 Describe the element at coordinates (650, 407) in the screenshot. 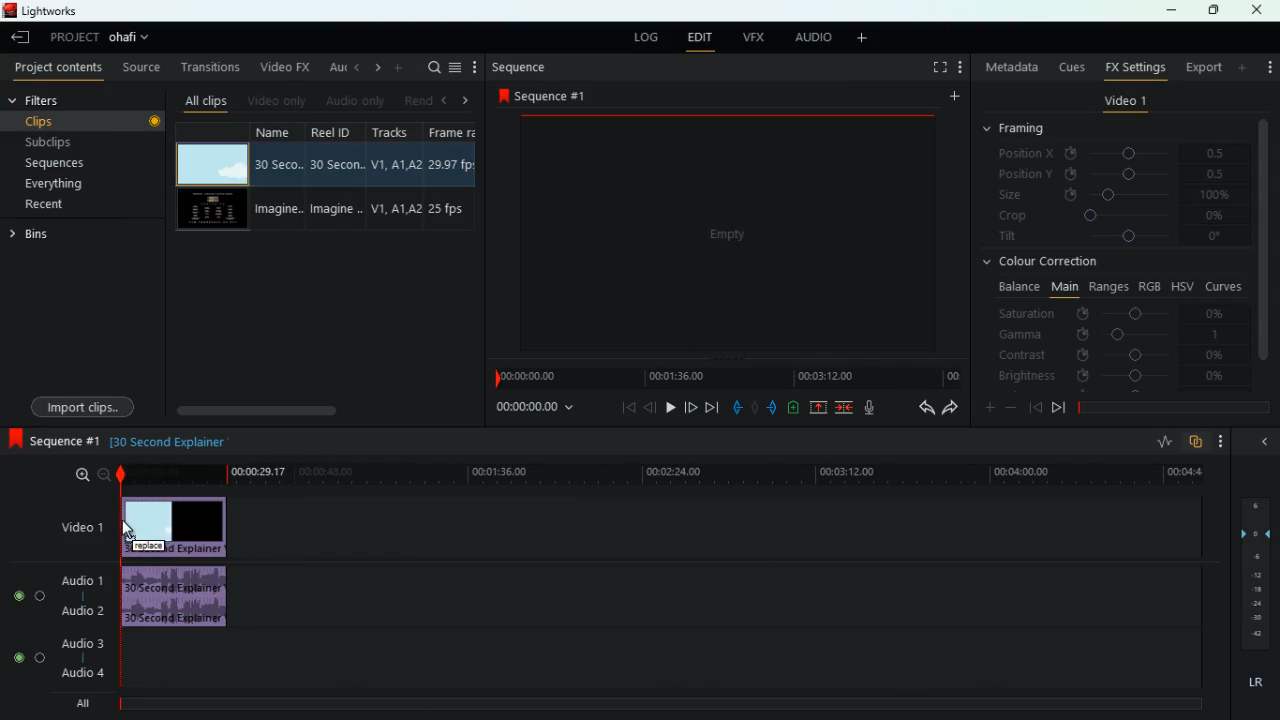

I see `back` at that location.